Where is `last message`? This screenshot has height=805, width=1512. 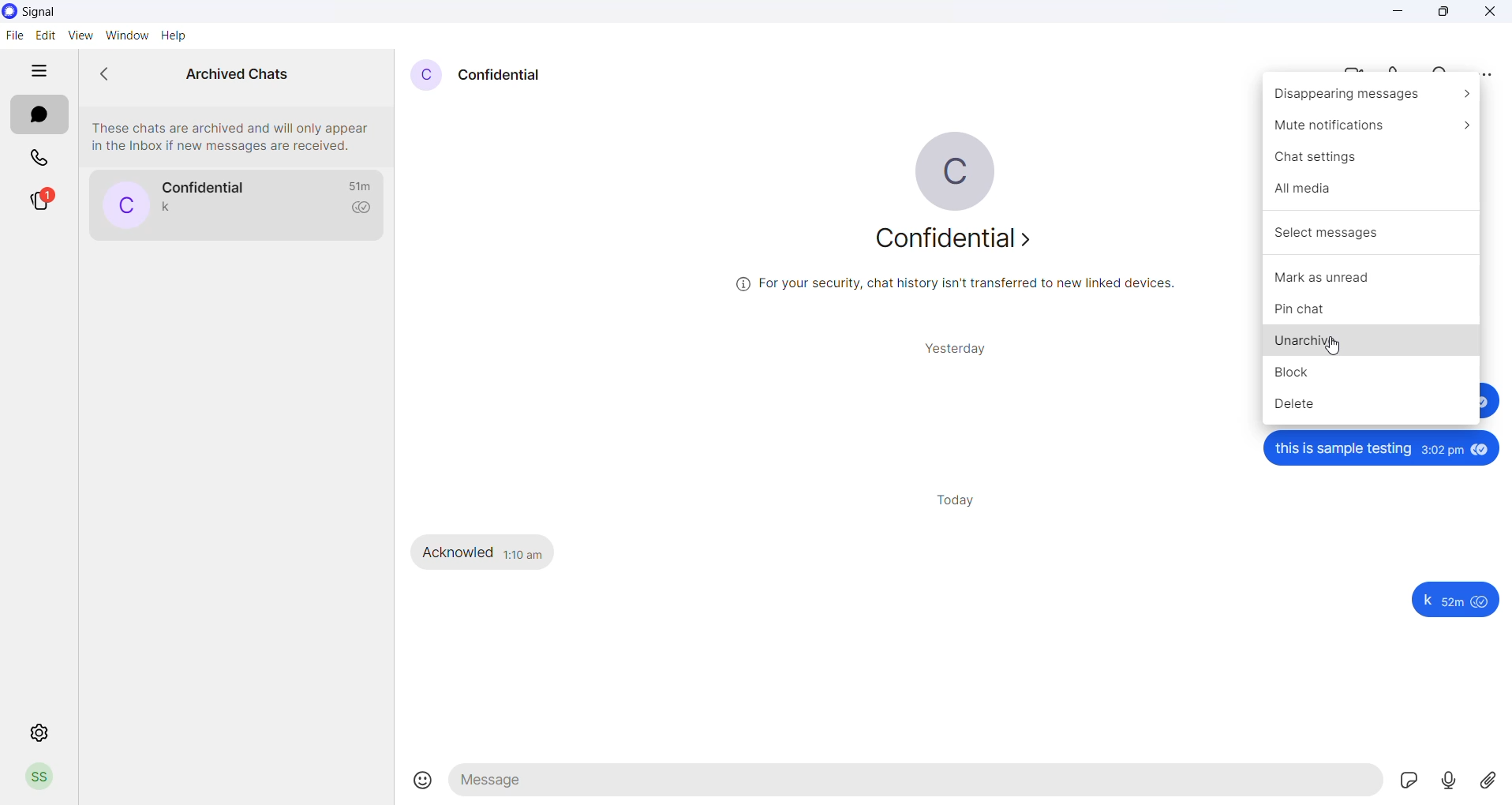 last message is located at coordinates (165, 208).